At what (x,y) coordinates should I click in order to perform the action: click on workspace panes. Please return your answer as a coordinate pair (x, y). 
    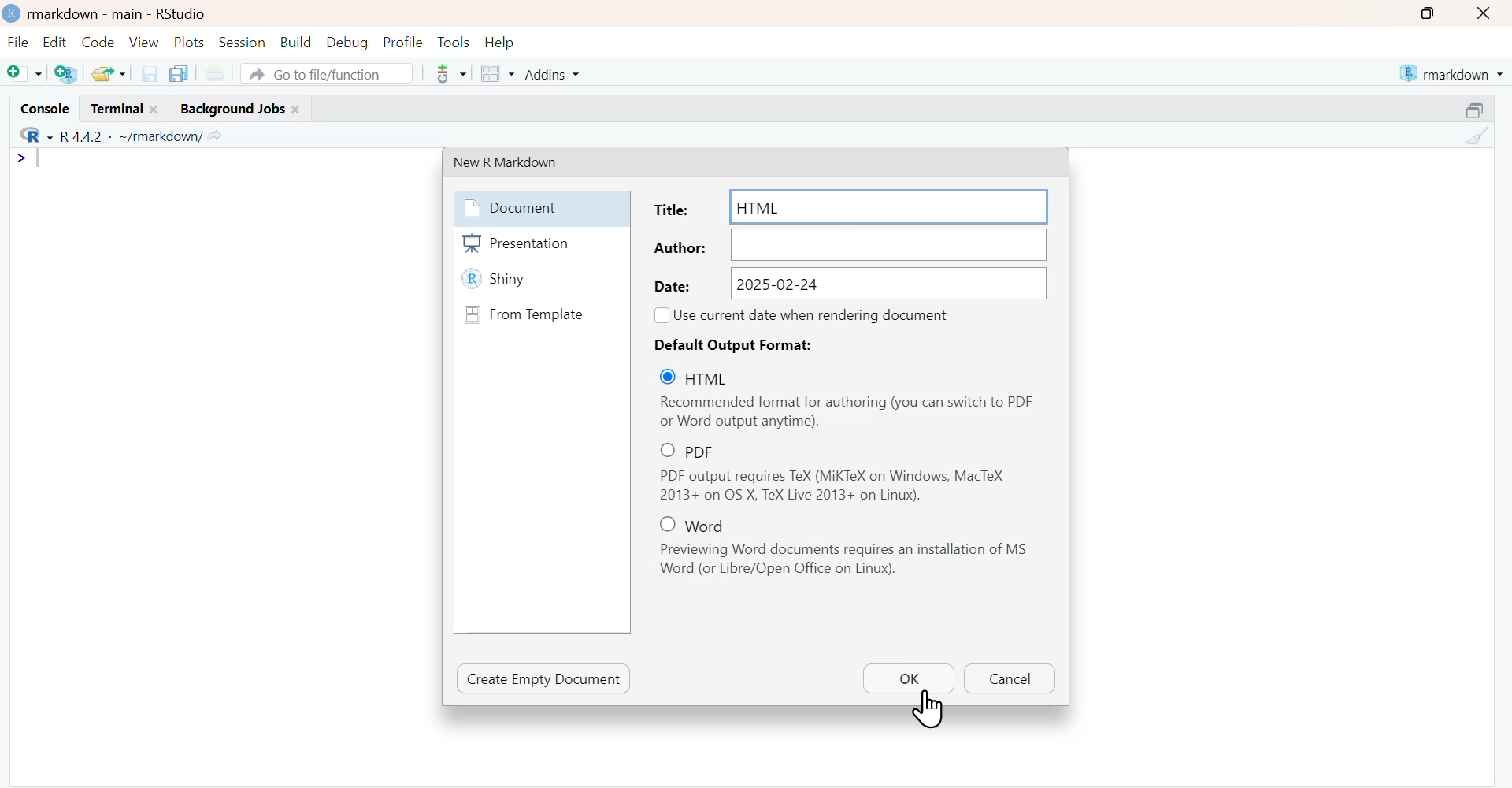
    Looking at the image, I should click on (496, 73).